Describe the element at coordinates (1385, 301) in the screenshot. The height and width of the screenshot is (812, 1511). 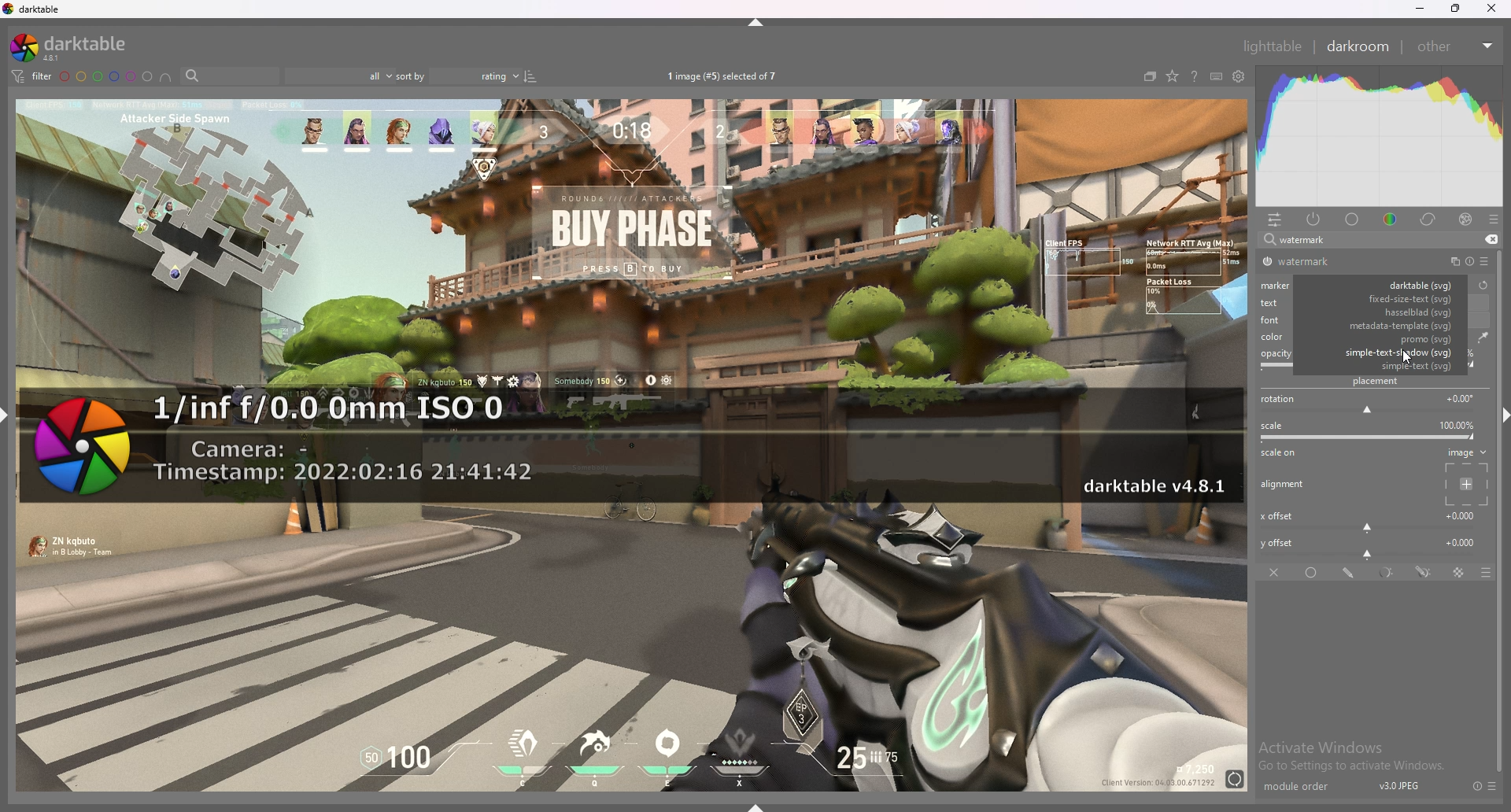
I see `fixed size text svg` at that location.